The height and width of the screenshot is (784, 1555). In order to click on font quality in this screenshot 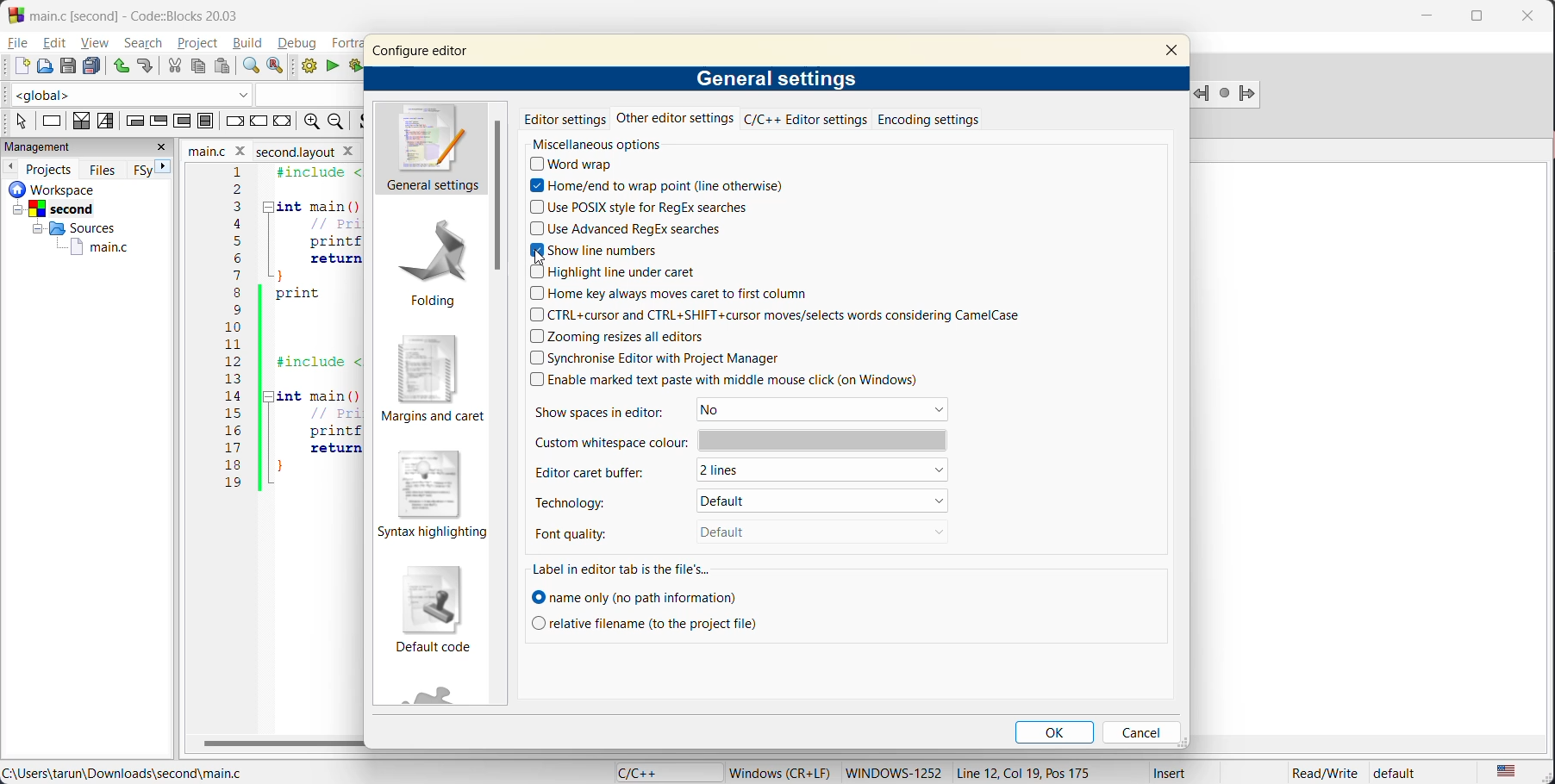, I will do `click(587, 531)`.